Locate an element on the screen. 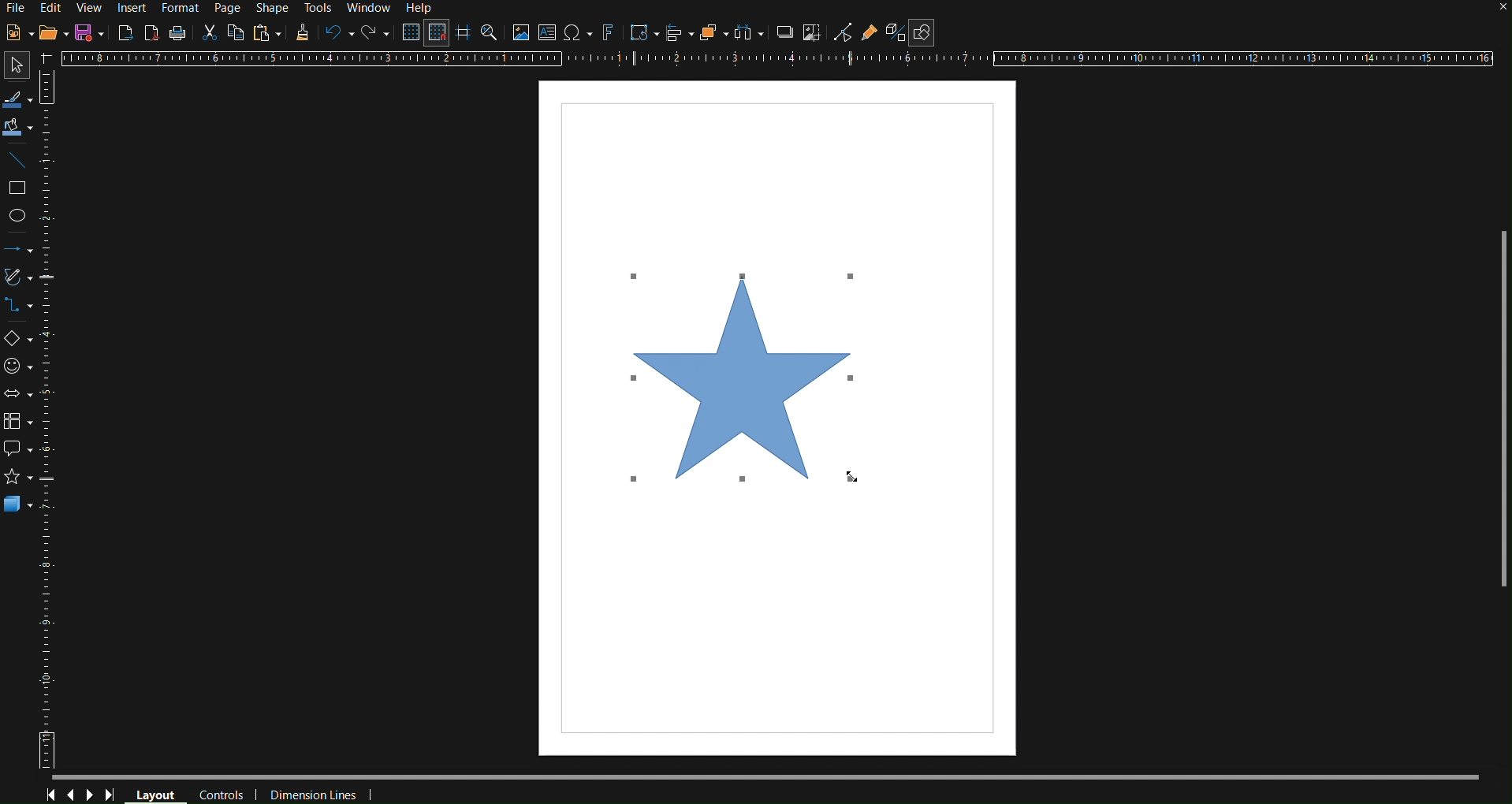 The image size is (1512, 804). Symbol Shapes is located at coordinates (20, 367).